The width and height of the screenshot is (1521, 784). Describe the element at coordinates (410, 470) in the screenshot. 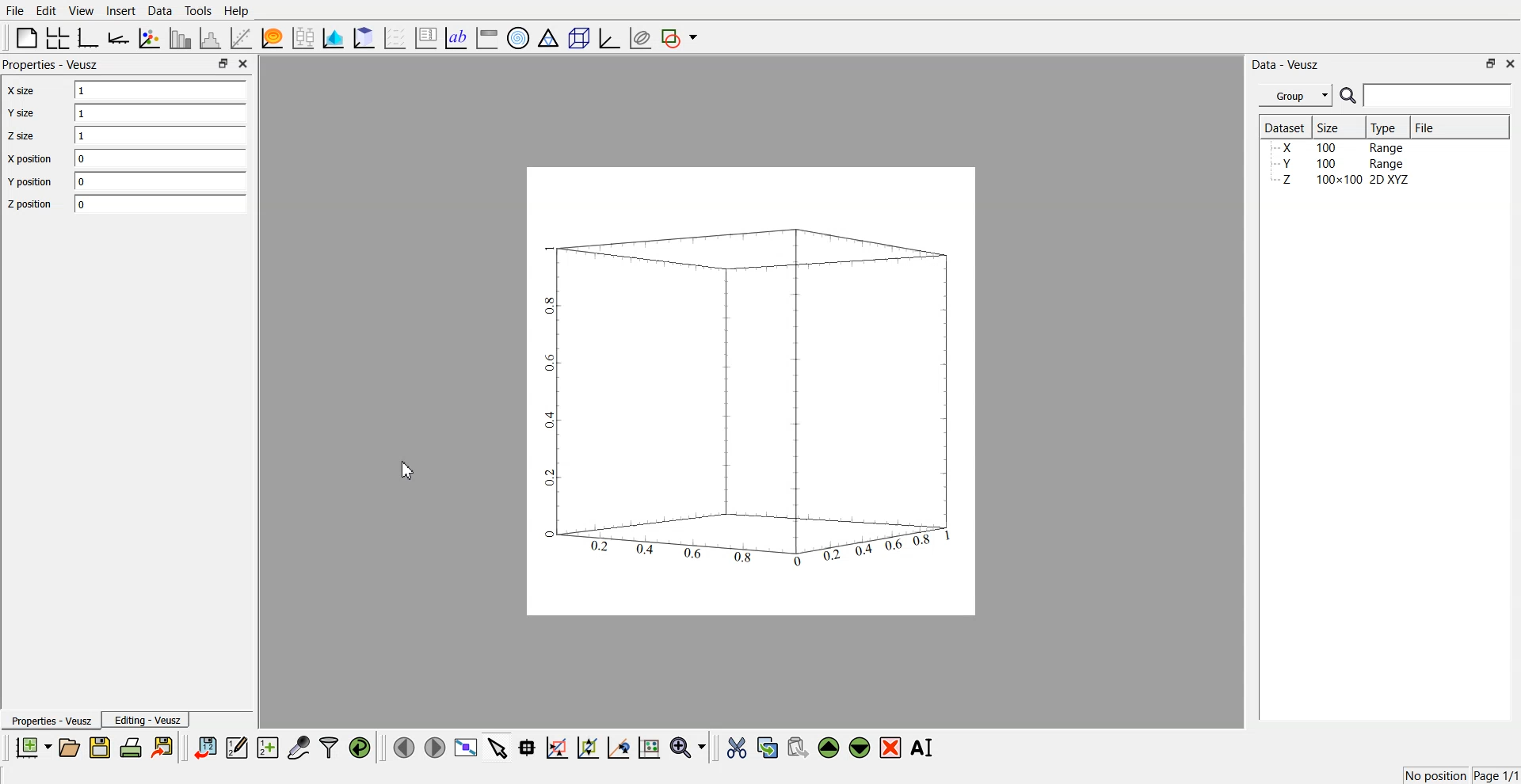

I see `Cursor` at that location.